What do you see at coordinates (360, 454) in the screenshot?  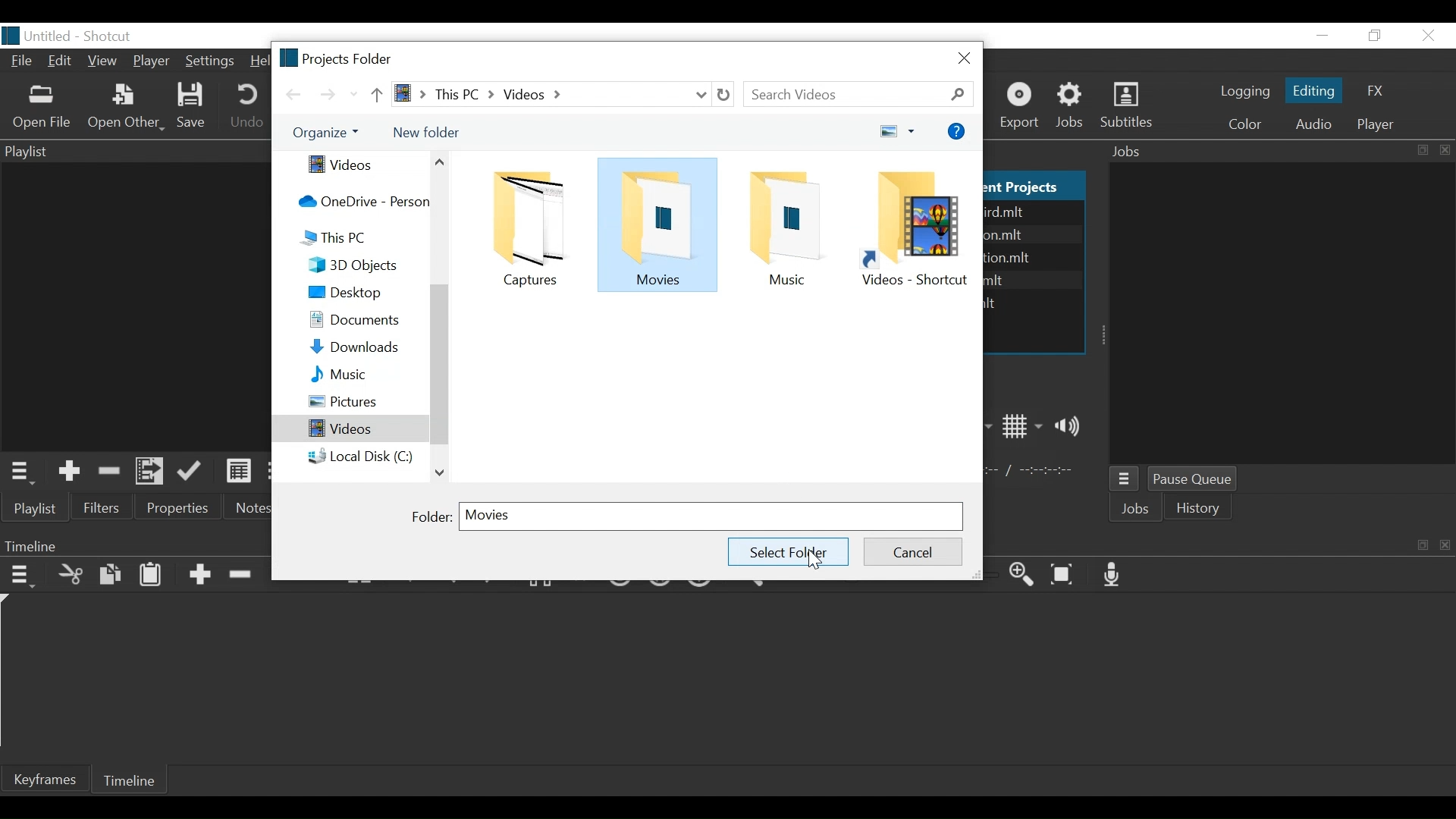 I see `Local Disk (C:)` at bounding box center [360, 454].